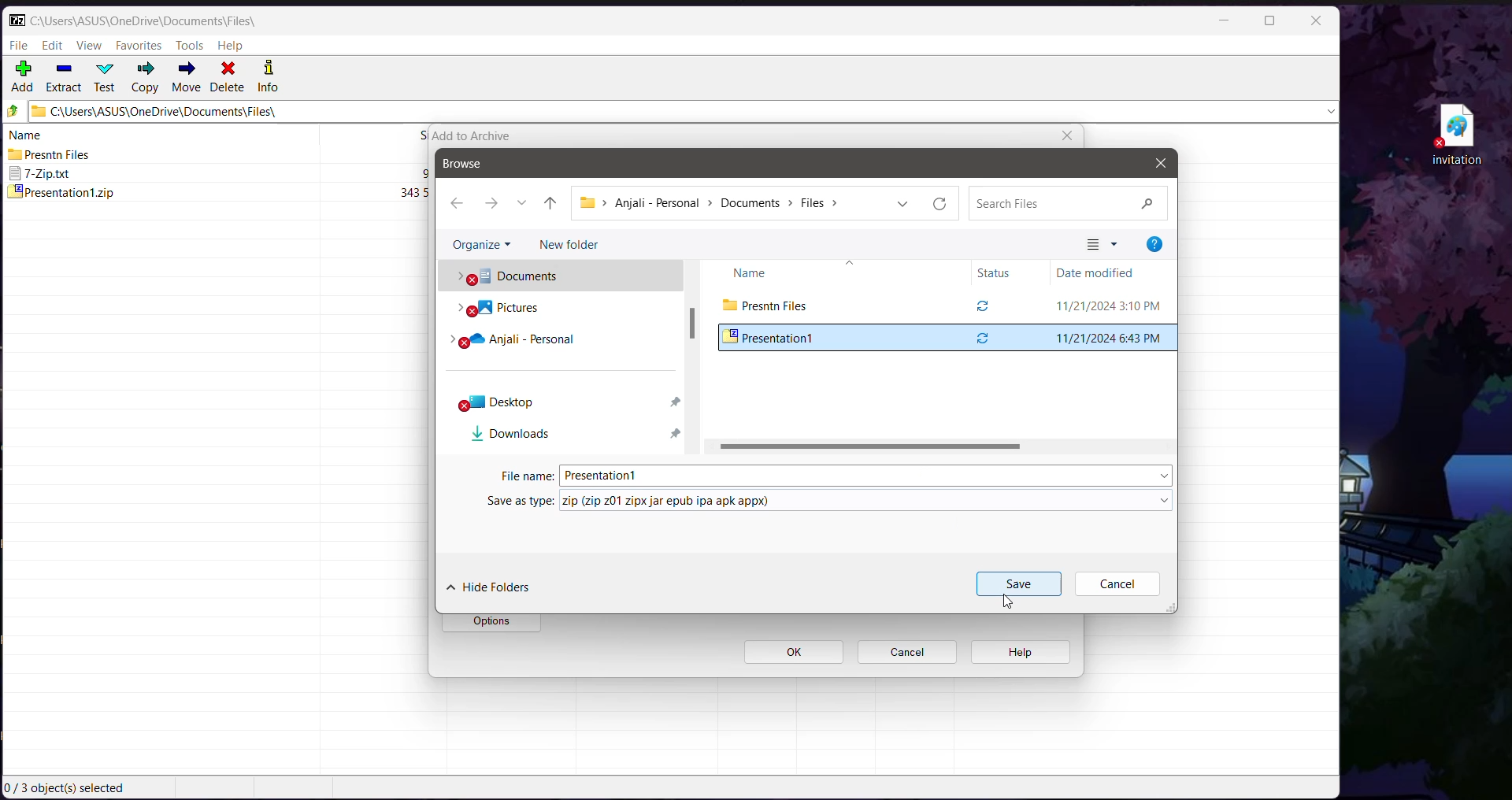 The image size is (1512, 800). I want to click on Recent locations, so click(521, 204).